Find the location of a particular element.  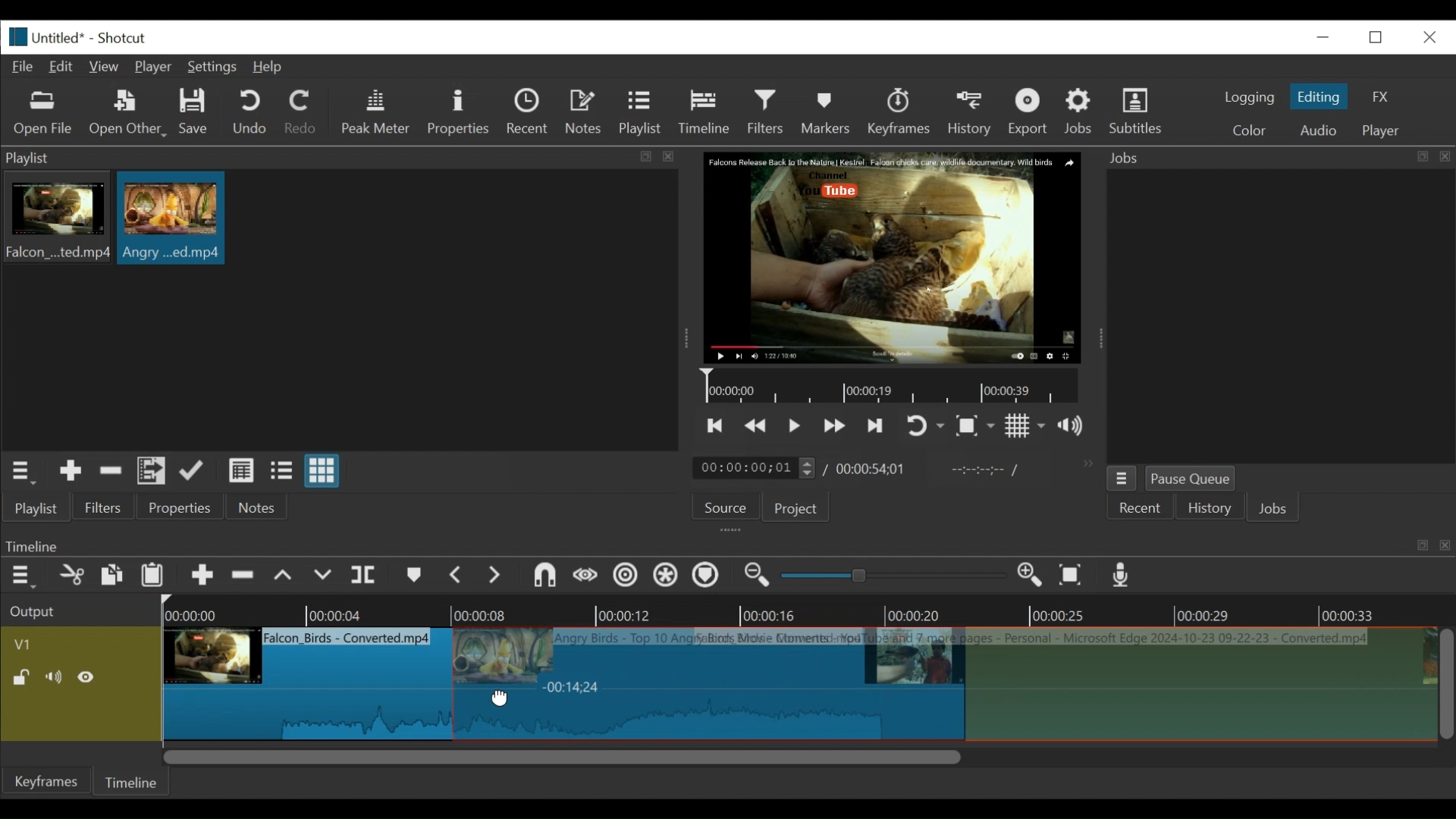

File is located at coordinates (26, 67).